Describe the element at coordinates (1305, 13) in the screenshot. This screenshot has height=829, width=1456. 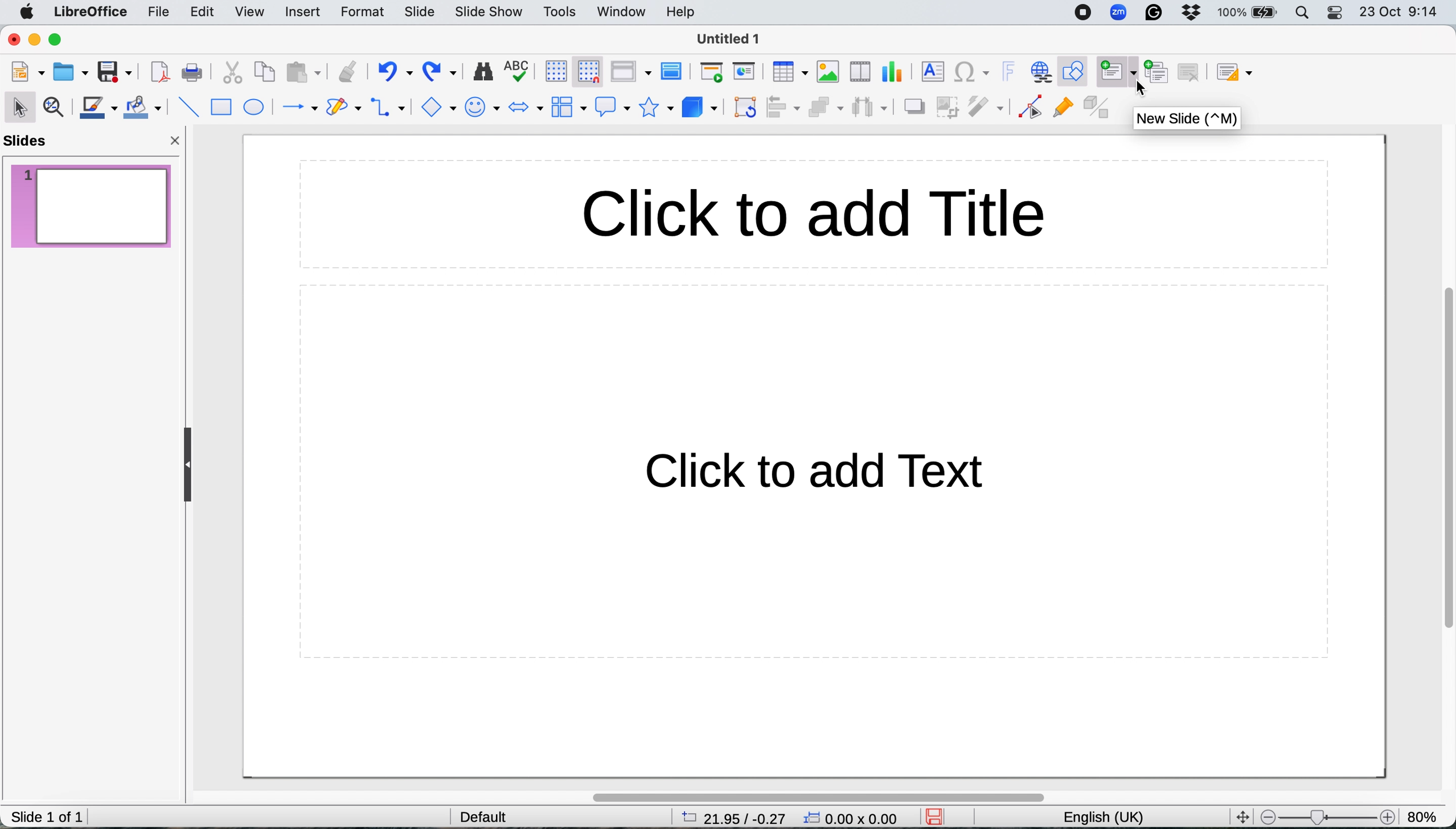
I see `spotlight search` at that location.